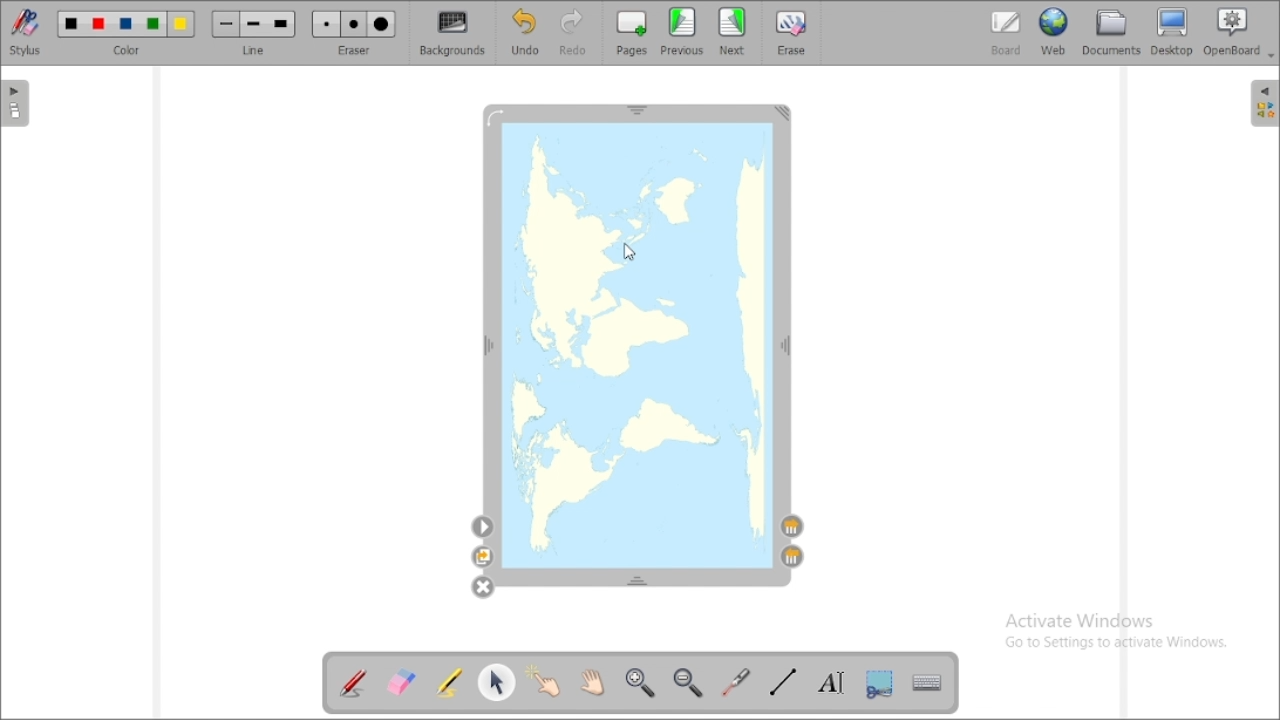 The image size is (1280, 720). What do you see at coordinates (543, 680) in the screenshot?
I see `interact with items` at bounding box center [543, 680].